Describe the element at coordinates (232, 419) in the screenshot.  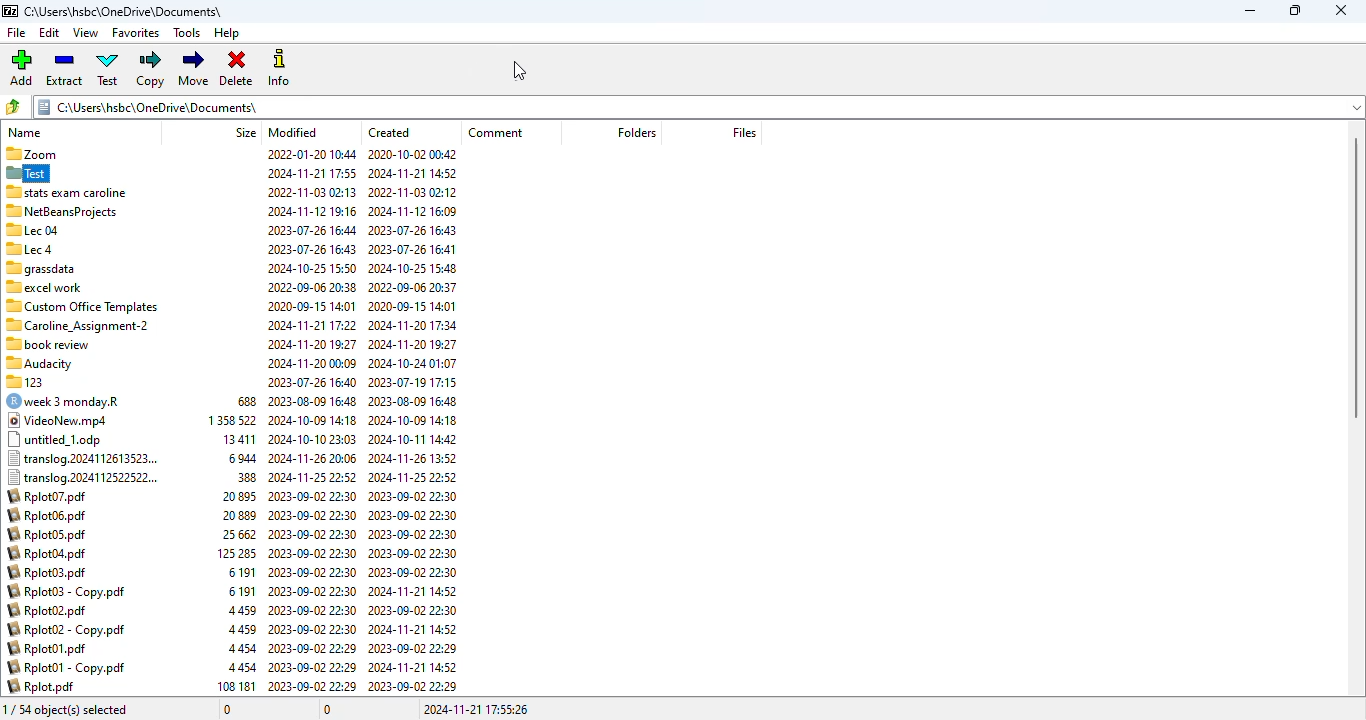
I see `1 358 522` at that location.